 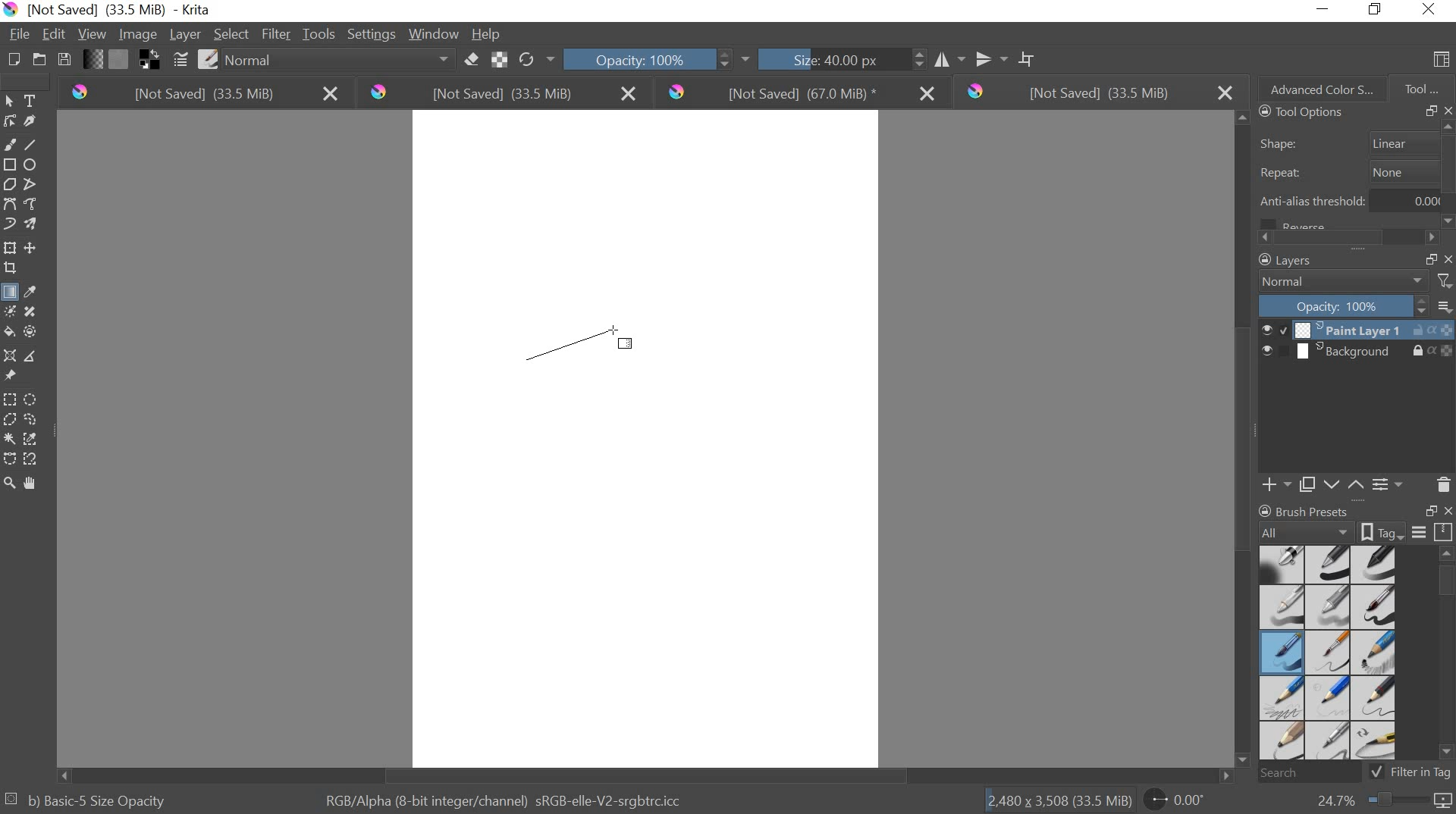 I want to click on shape liner, so click(x=1345, y=140).